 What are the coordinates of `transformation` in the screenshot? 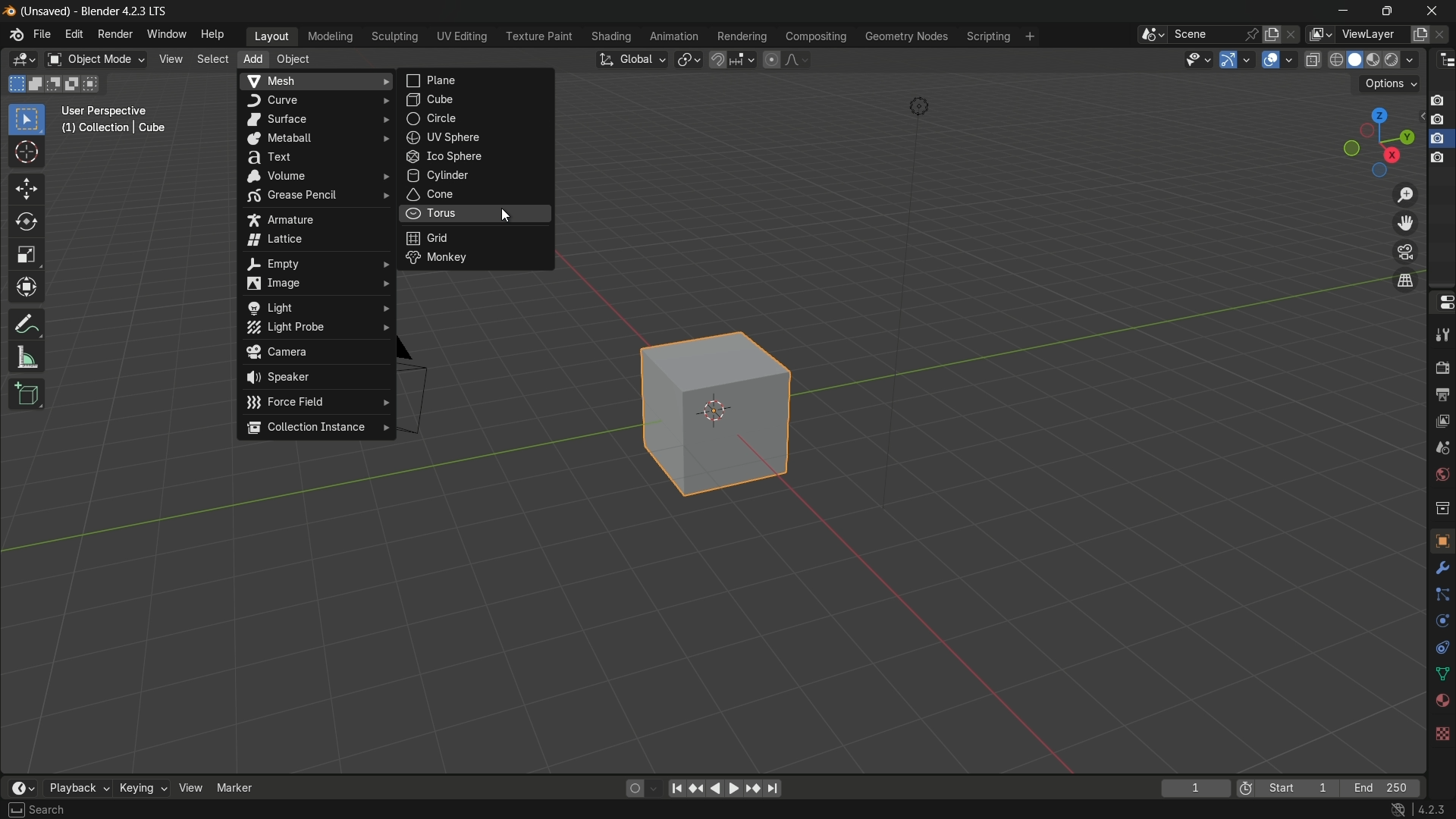 It's located at (28, 289).